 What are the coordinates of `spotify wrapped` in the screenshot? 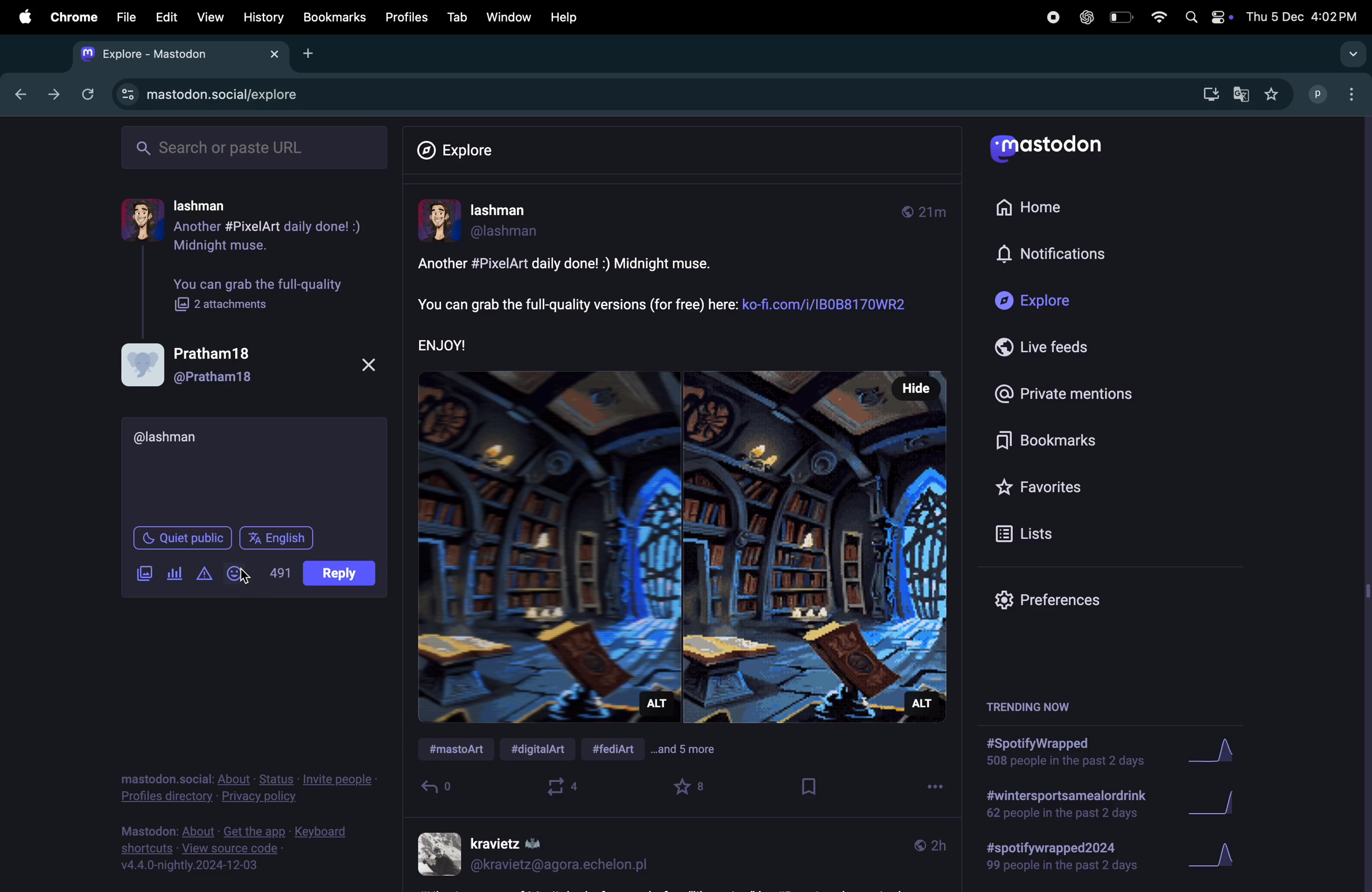 It's located at (1064, 755).